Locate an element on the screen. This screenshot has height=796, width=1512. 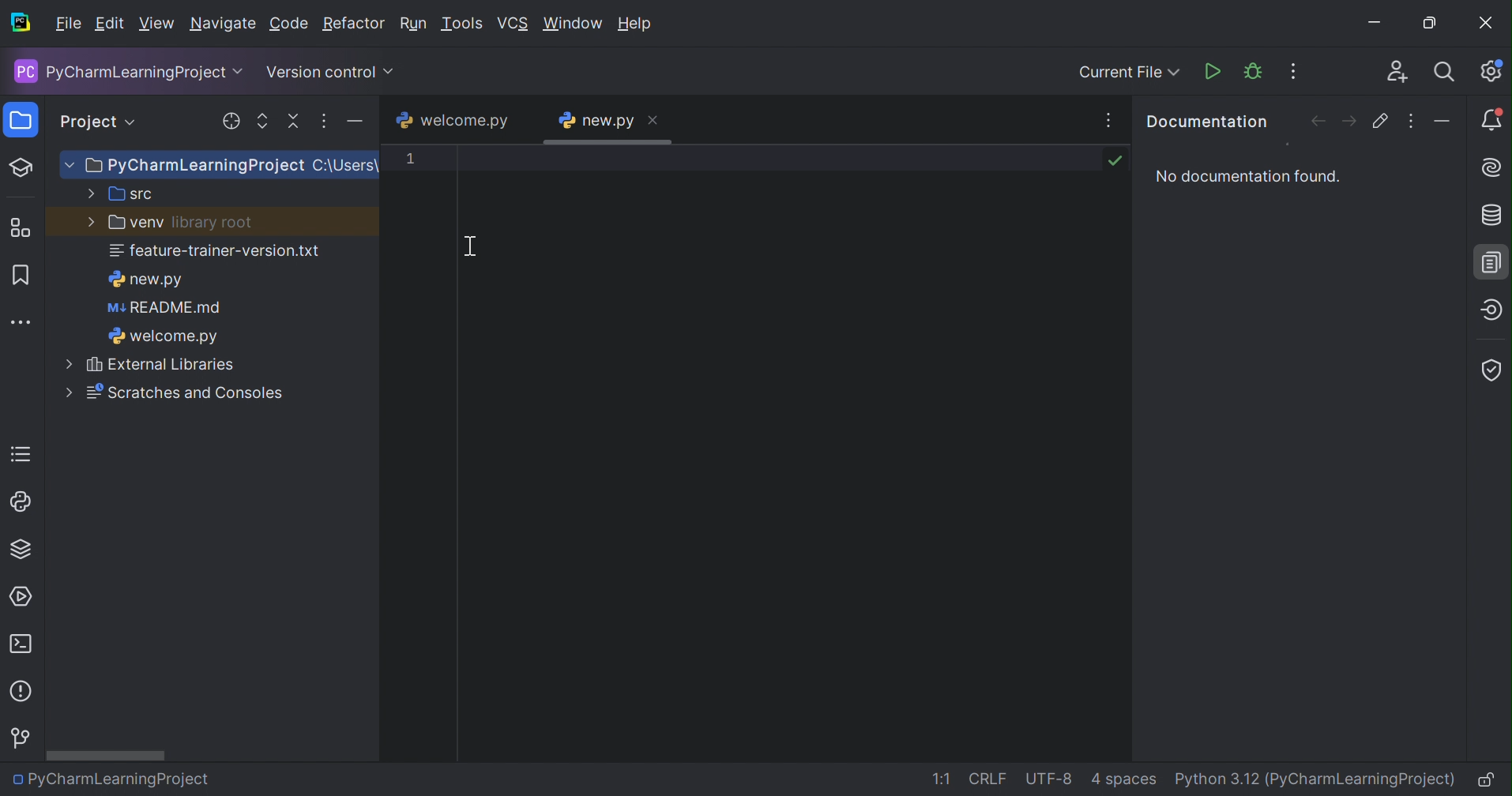
Refactor is located at coordinates (354, 24).